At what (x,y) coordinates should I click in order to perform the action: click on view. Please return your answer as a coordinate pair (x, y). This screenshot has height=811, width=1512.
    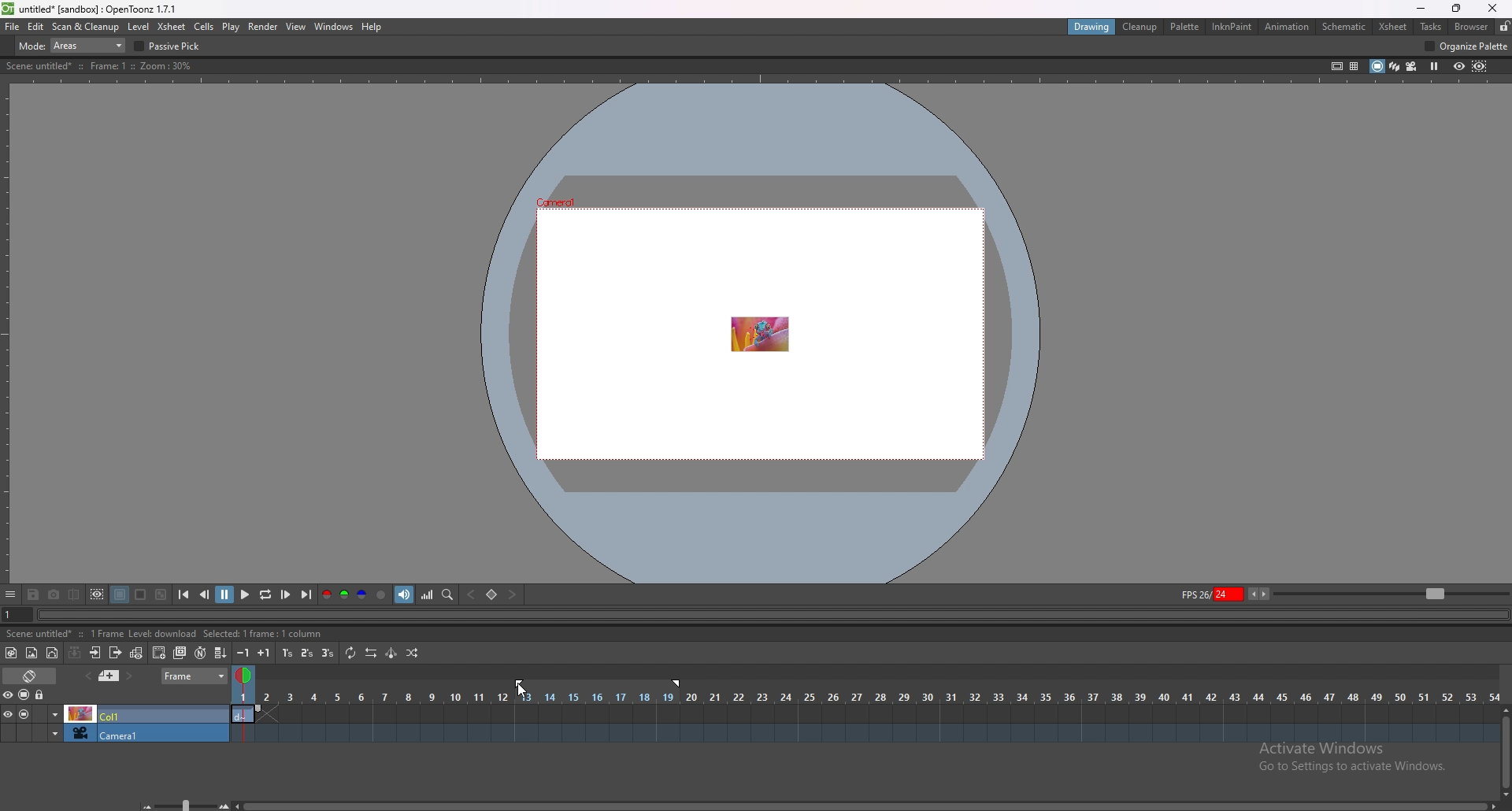
    Looking at the image, I should click on (297, 27).